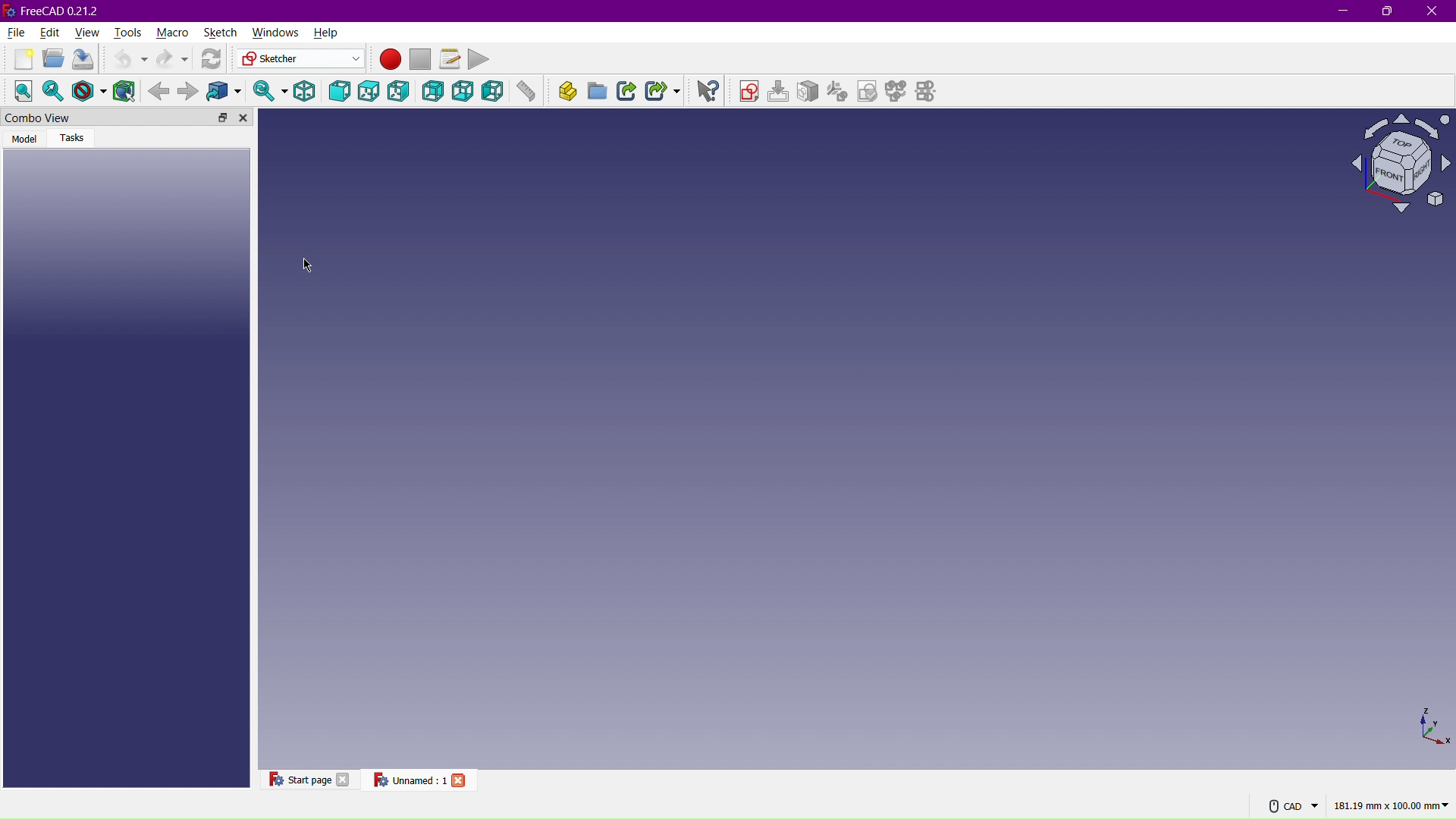 The height and width of the screenshot is (819, 1456). Describe the element at coordinates (174, 58) in the screenshot. I see `Redo` at that location.